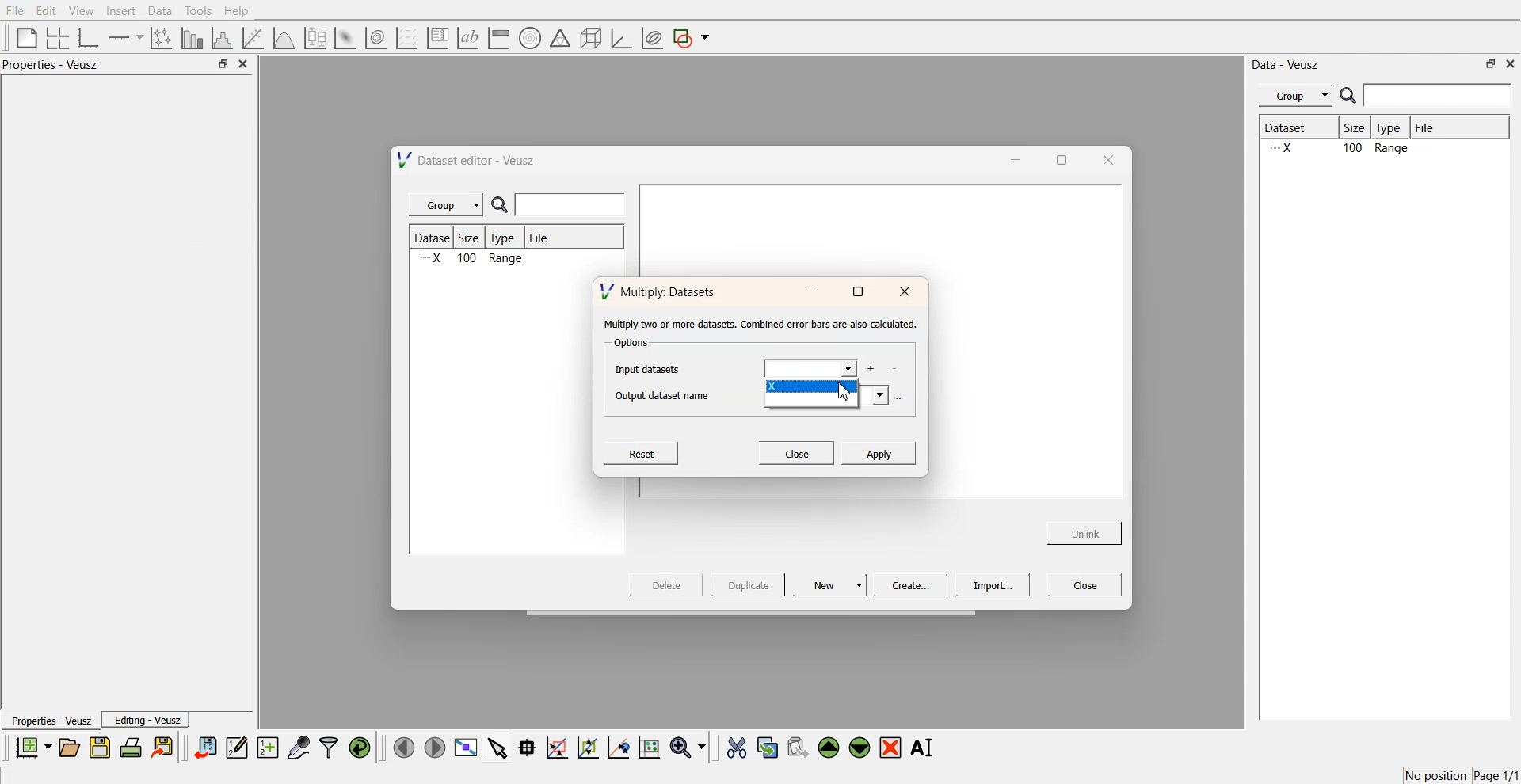  Describe the element at coordinates (651, 39) in the screenshot. I see `plot covariance ellipses` at that location.